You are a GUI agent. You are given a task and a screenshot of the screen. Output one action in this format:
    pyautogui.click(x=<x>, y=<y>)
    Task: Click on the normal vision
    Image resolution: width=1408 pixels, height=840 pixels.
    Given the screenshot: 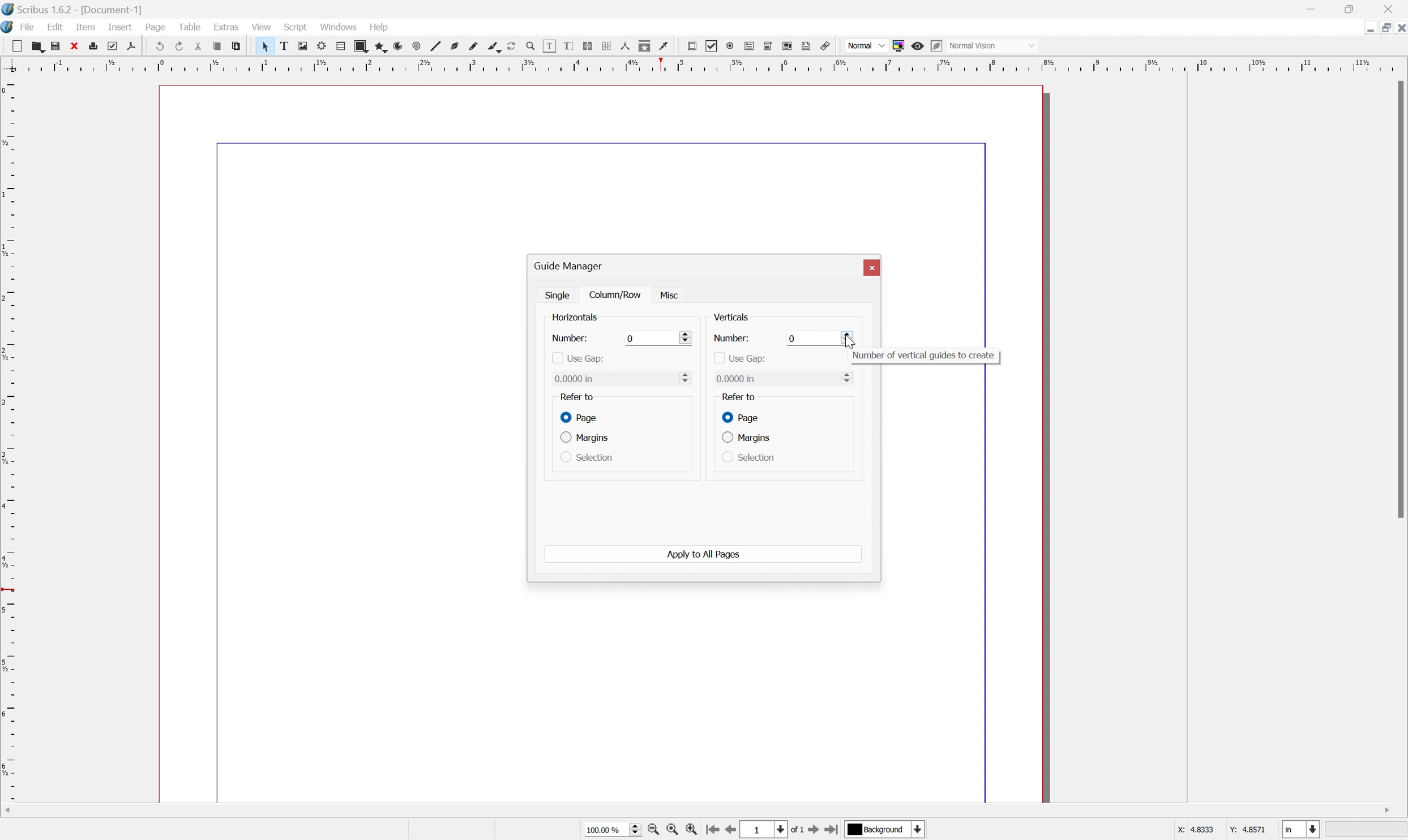 What is the action you would take?
    pyautogui.click(x=992, y=45)
    